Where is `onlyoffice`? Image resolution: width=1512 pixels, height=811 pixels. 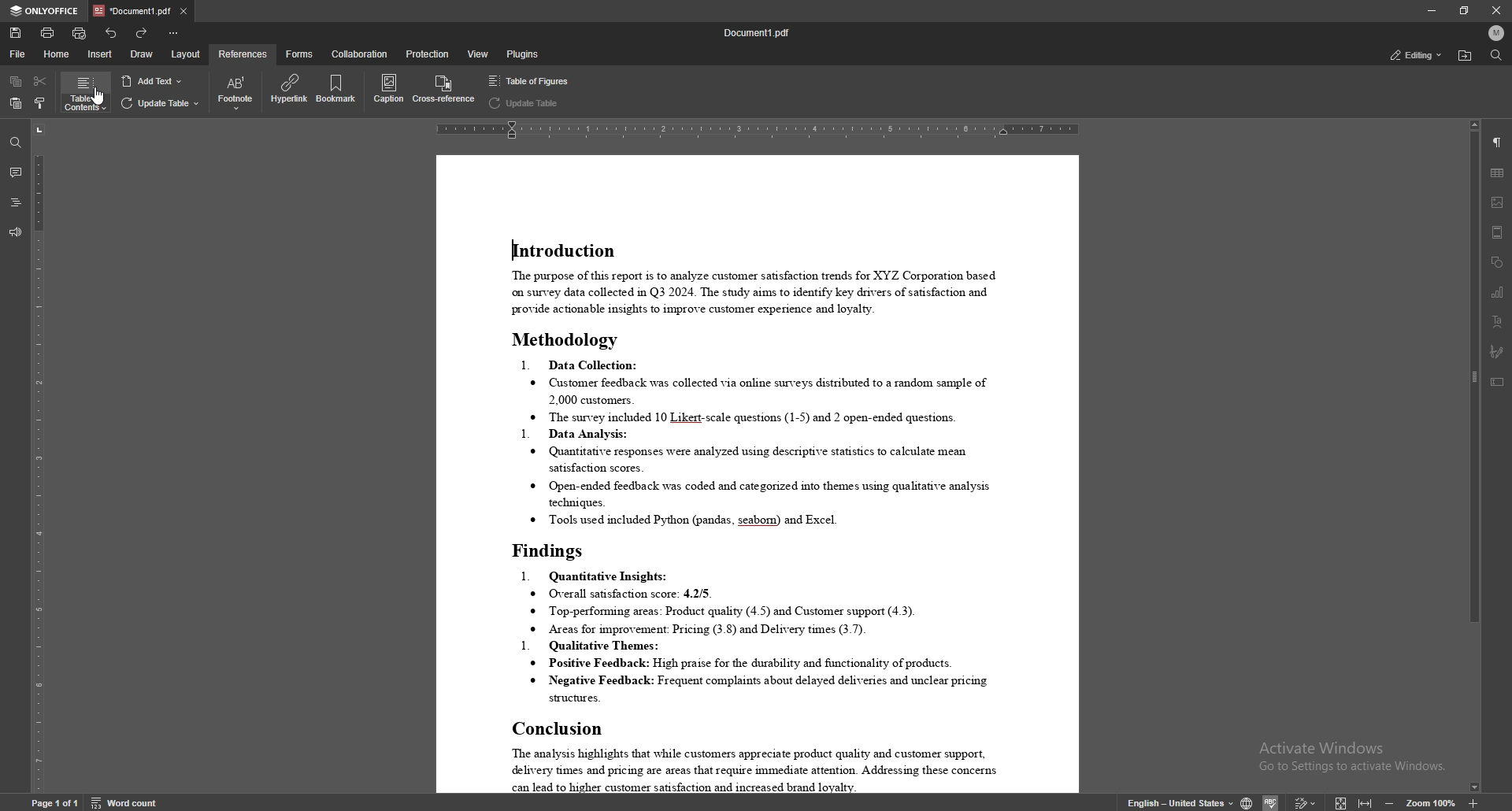 onlyoffice is located at coordinates (45, 11).